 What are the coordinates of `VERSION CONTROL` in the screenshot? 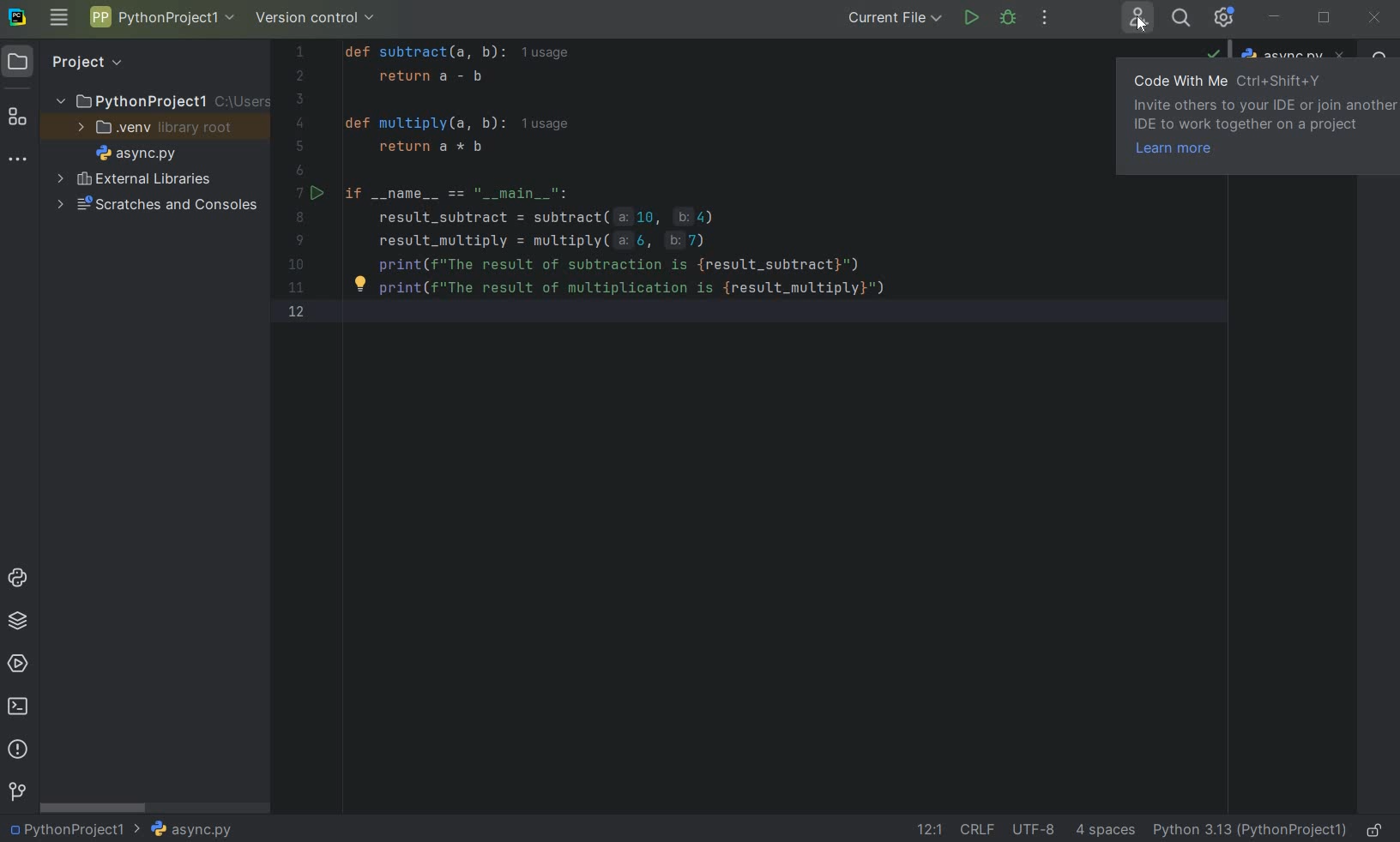 It's located at (16, 791).